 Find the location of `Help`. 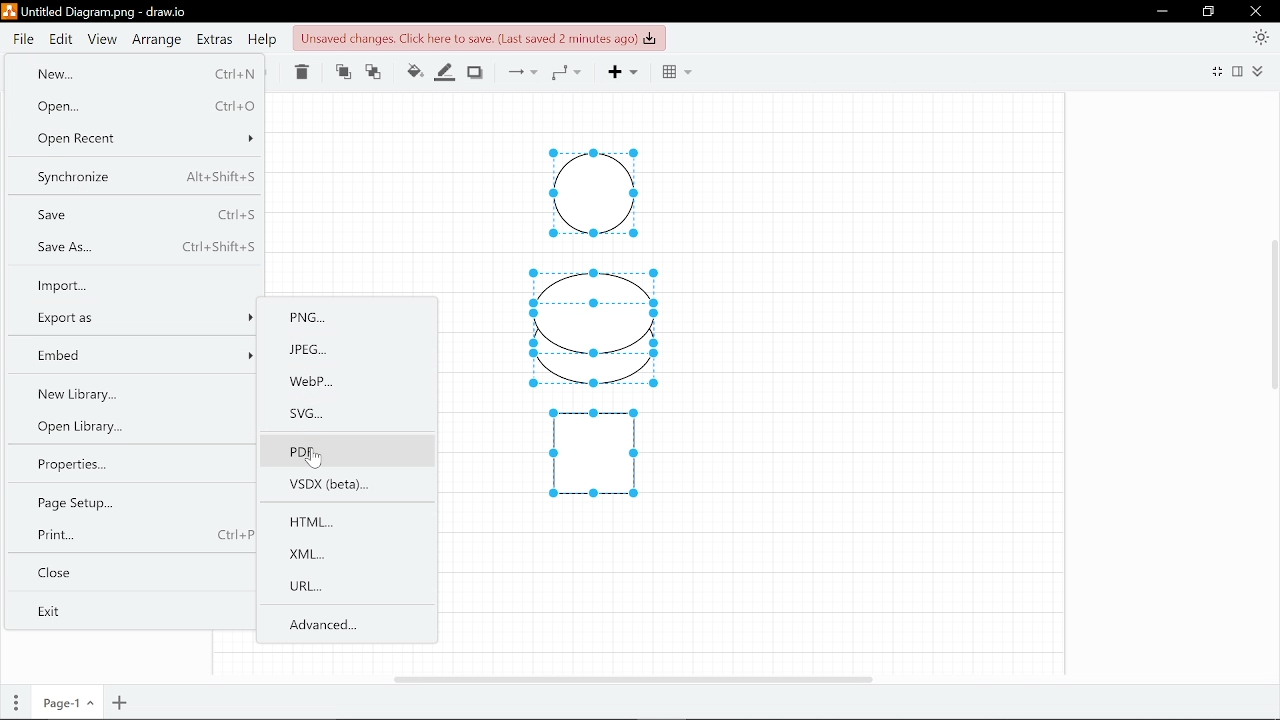

Help is located at coordinates (262, 41).